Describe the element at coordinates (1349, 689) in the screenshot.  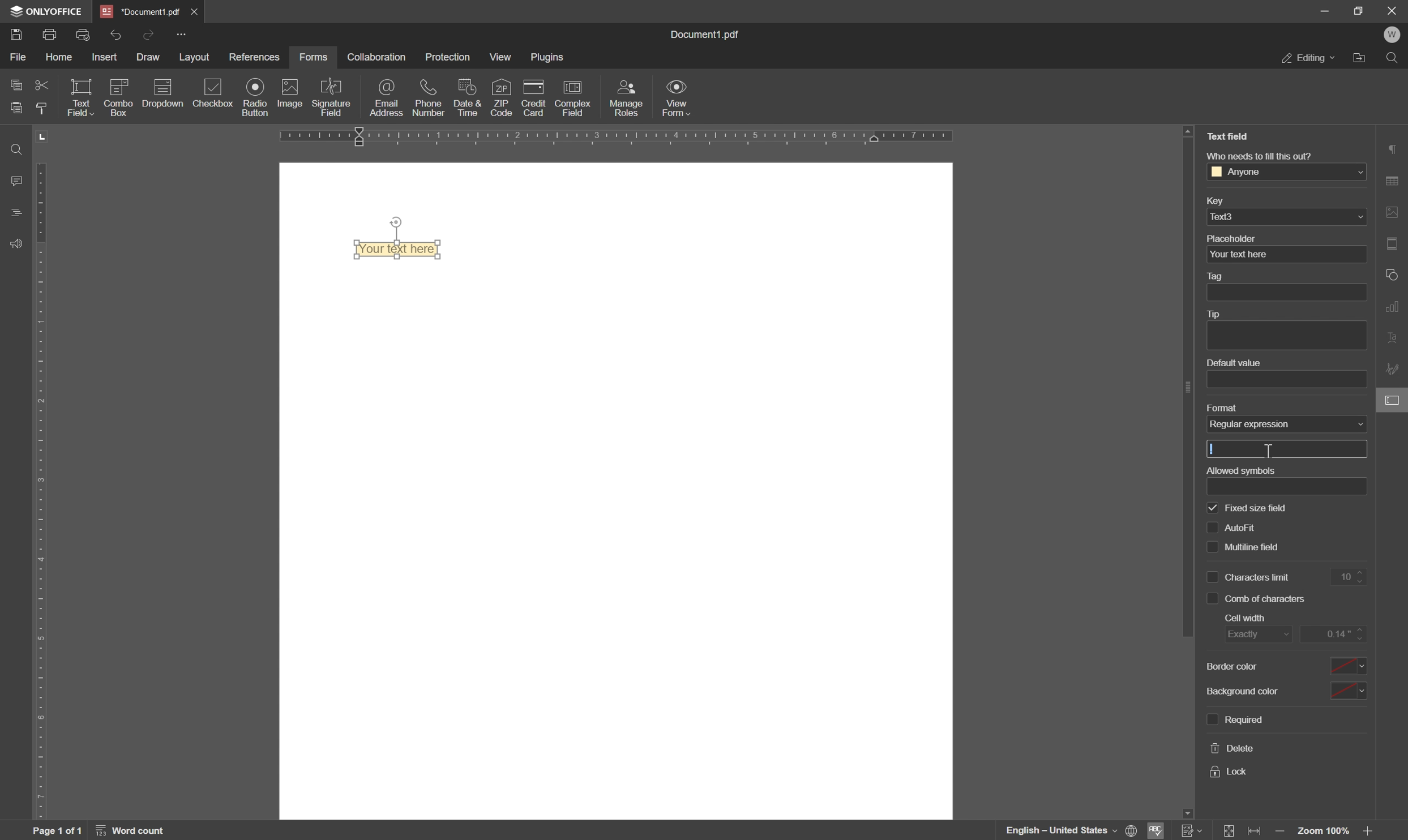
I see `select background color` at that location.